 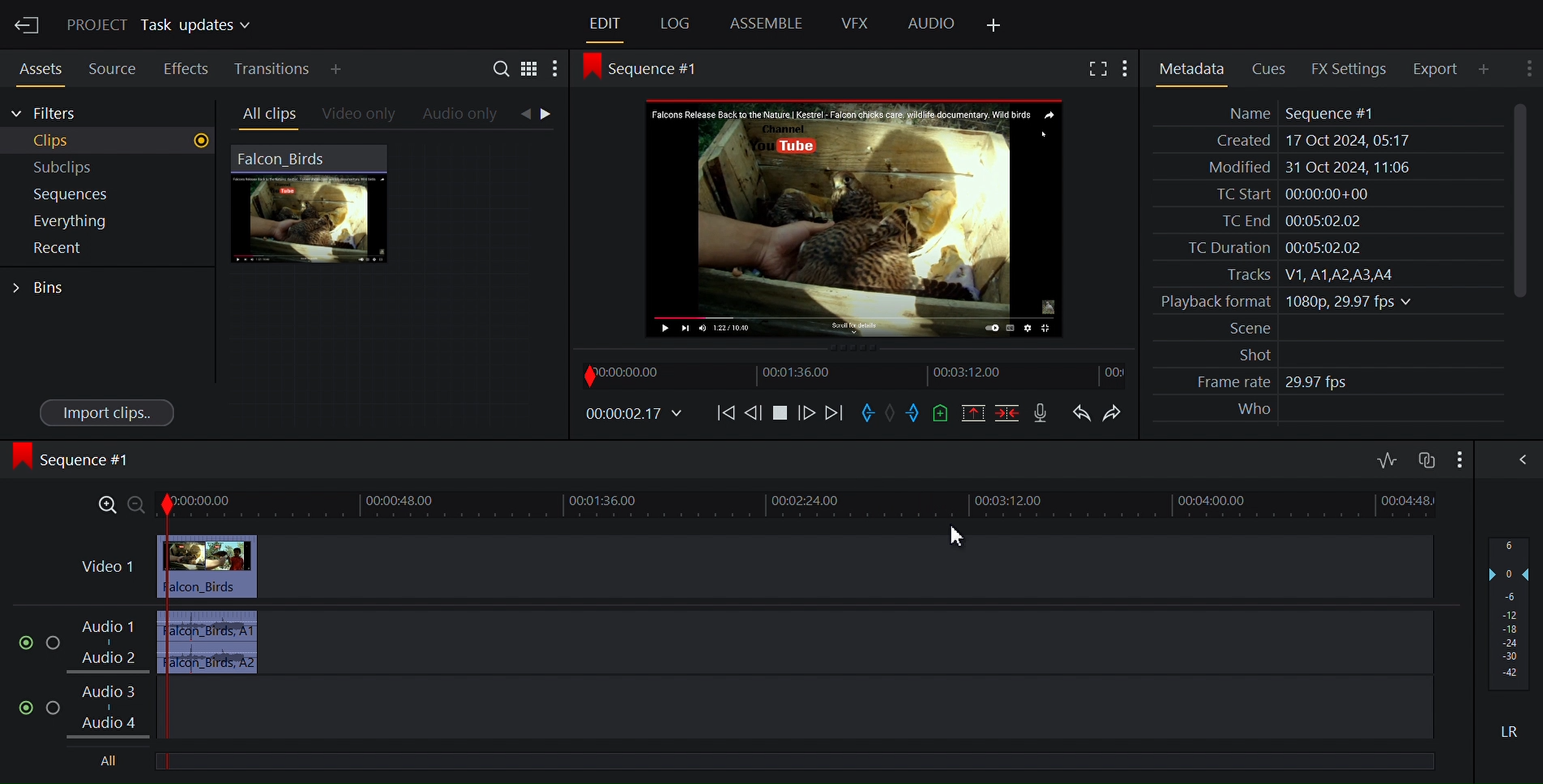 What do you see at coordinates (783, 414) in the screenshot?
I see `Stop` at bounding box center [783, 414].